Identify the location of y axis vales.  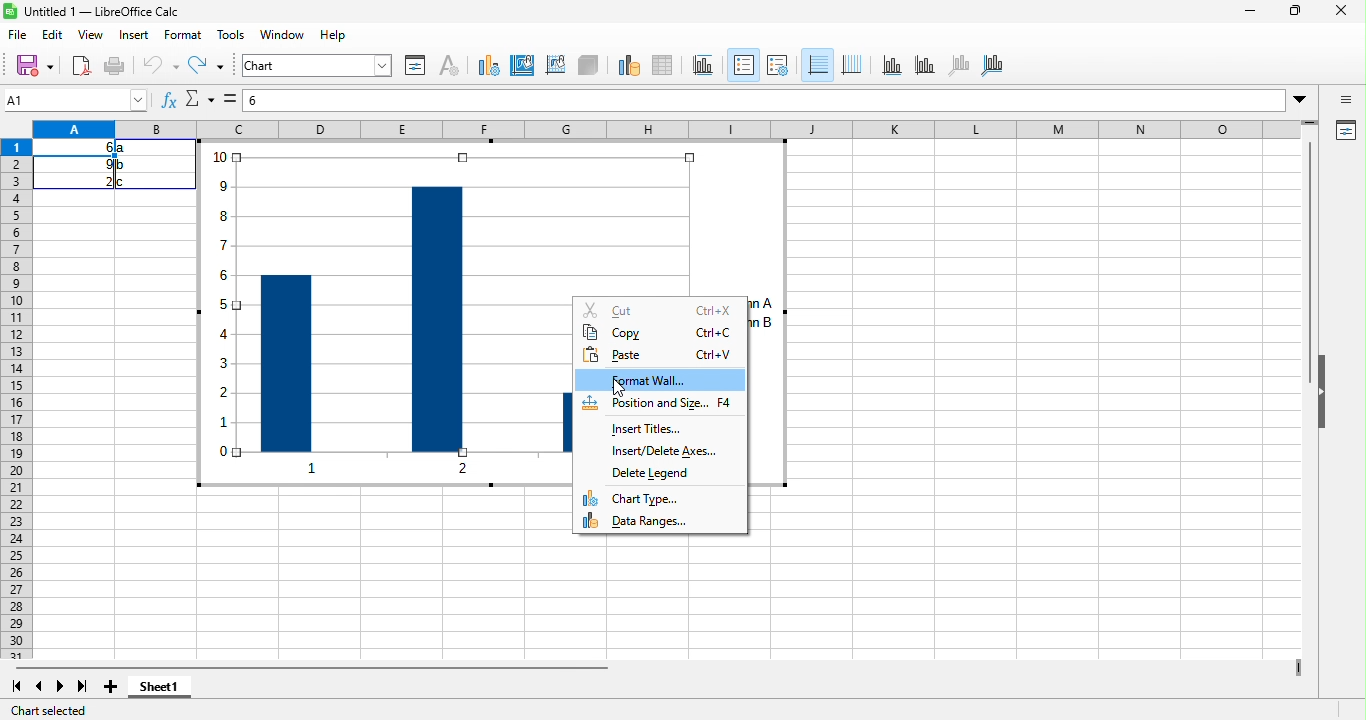
(223, 321).